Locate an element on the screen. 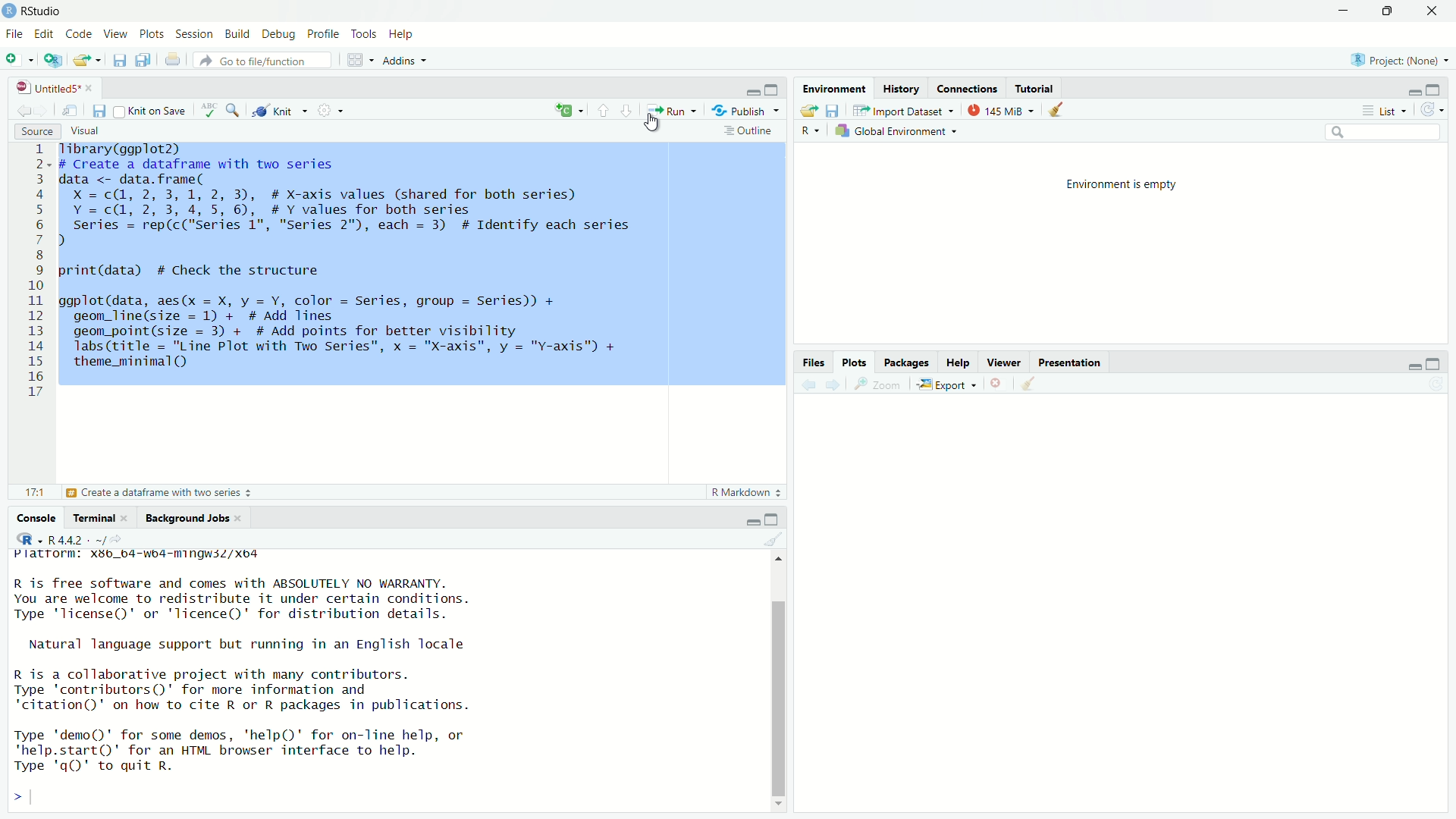 The width and height of the screenshot is (1456, 819). Enviornment is empty is located at coordinates (1121, 187).